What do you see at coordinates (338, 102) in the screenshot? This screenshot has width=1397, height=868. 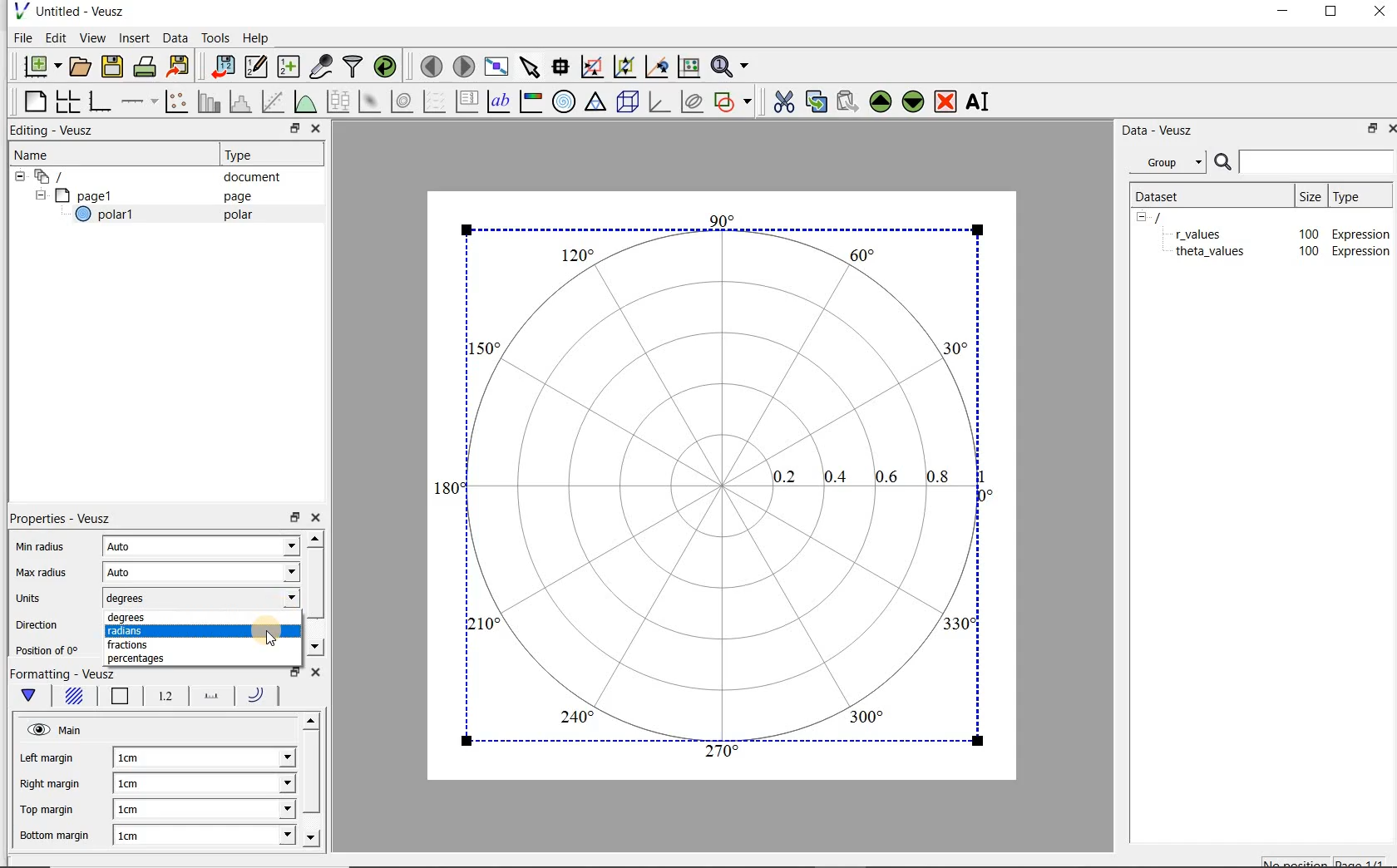 I see `plot box plots` at bounding box center [338, 102].